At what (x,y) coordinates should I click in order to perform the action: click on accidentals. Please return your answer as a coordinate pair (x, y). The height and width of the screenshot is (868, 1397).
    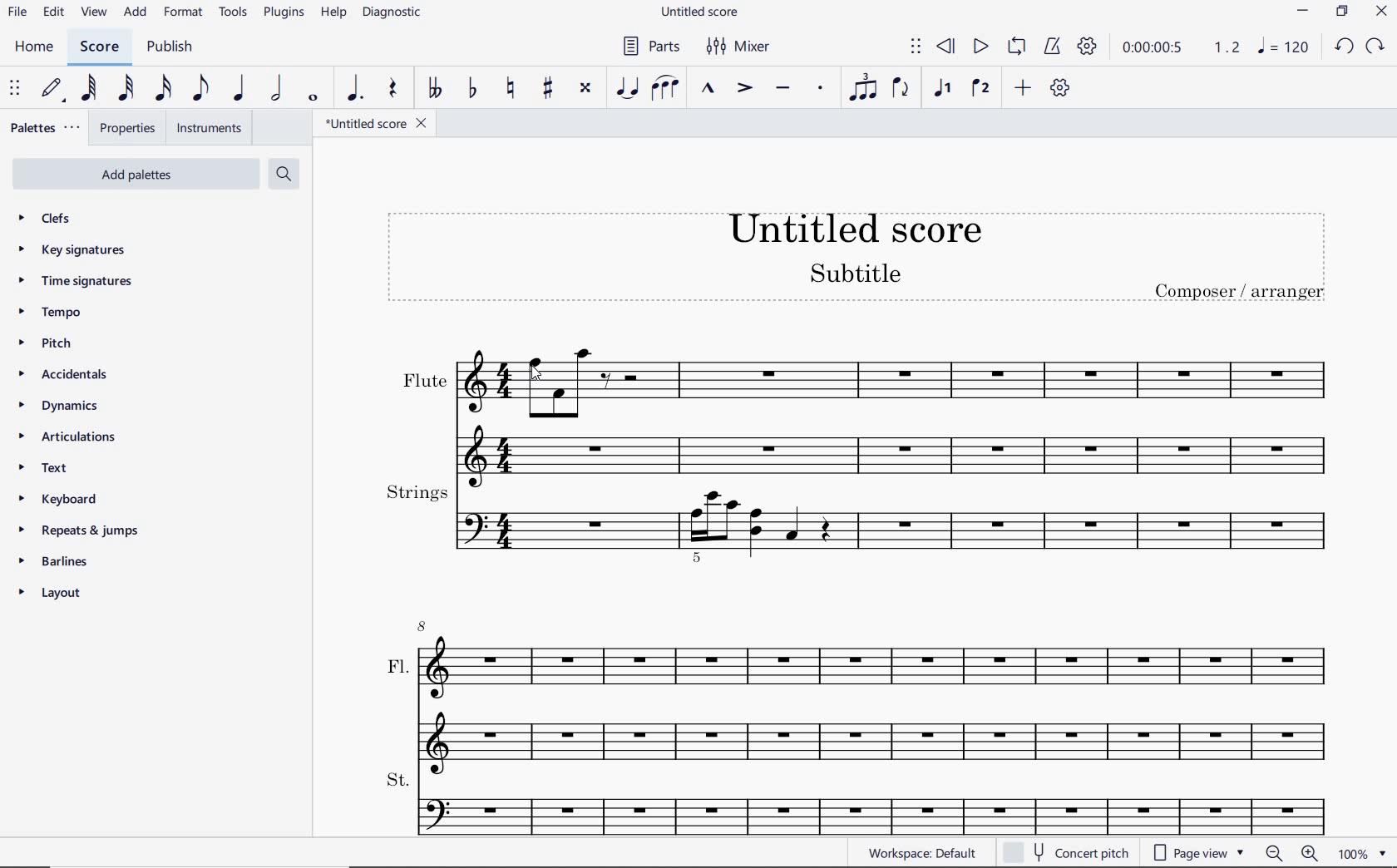
    Looking at the image, I should click on (62, 376).